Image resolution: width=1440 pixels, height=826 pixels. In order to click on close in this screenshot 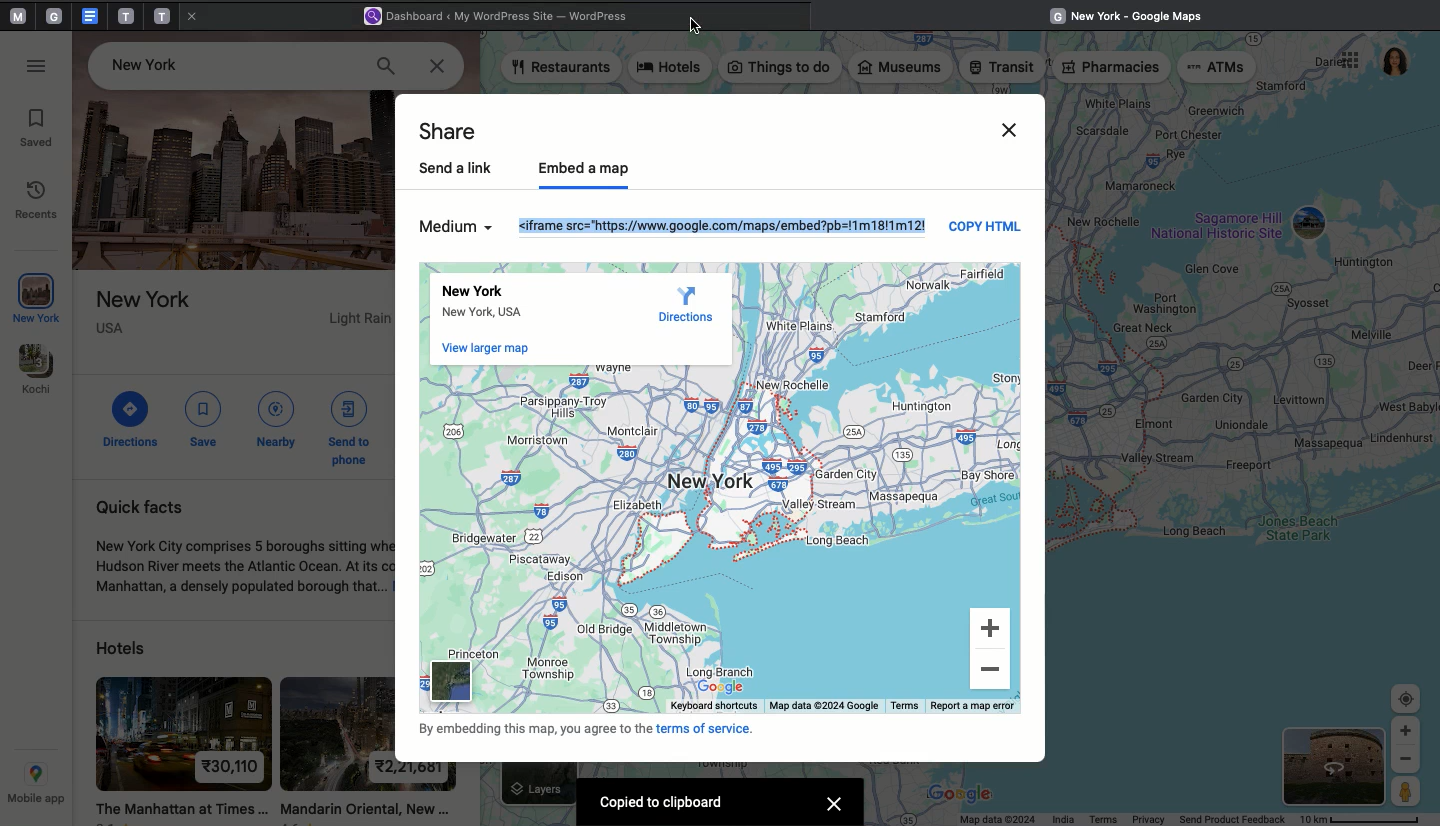, I will do `click(833, 804)`.